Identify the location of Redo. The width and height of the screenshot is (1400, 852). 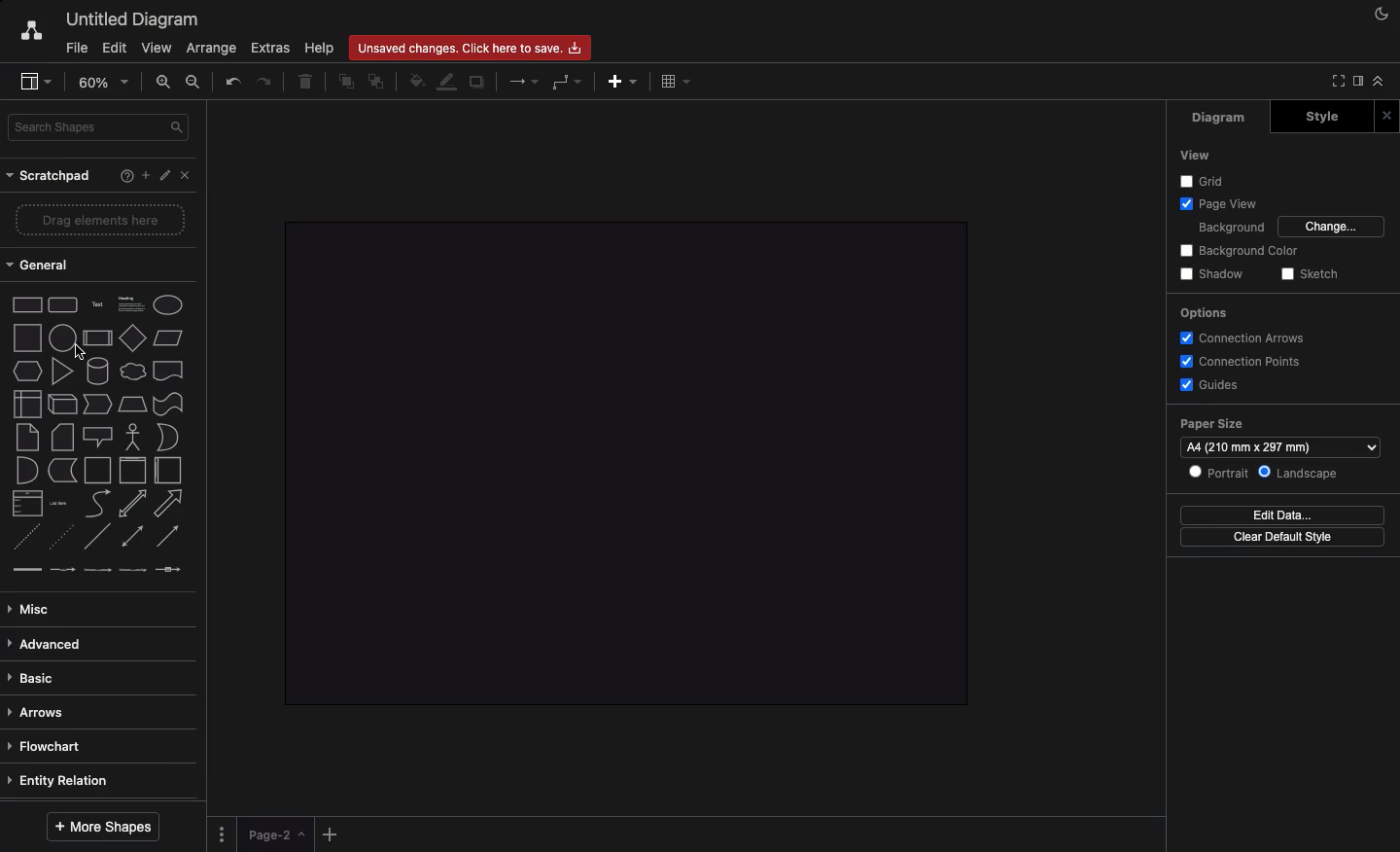
(264, 82).